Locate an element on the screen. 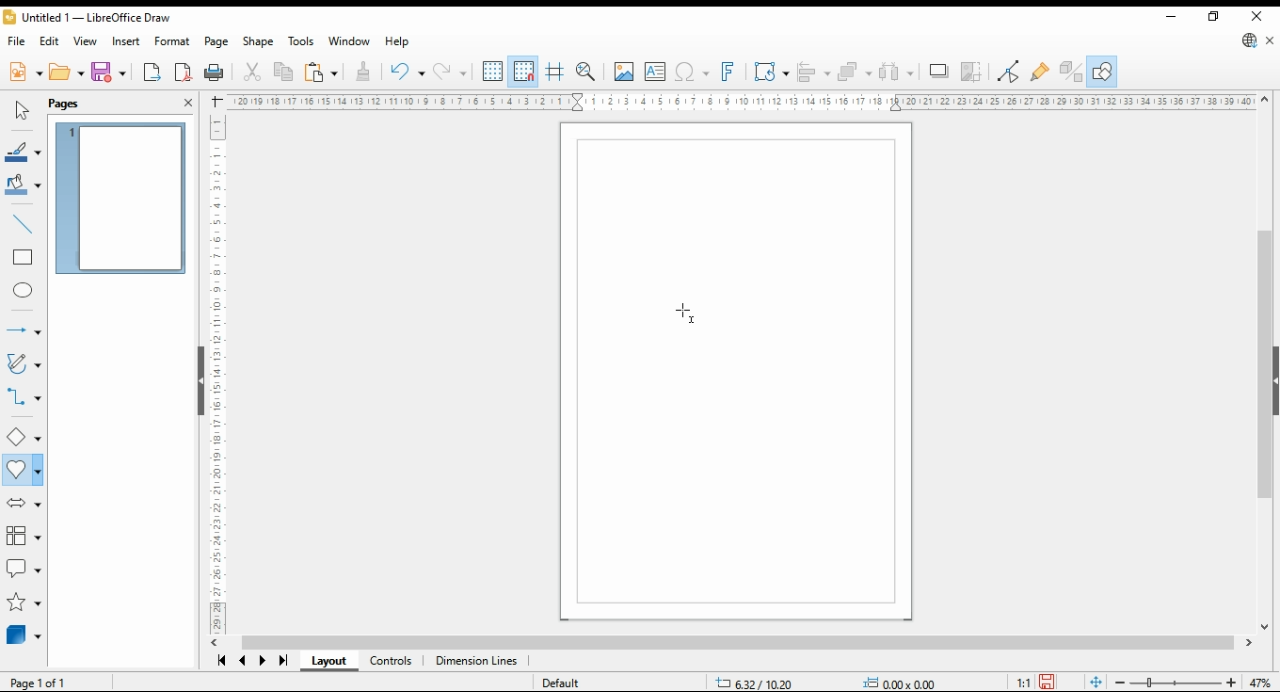  save 1"1 is located at coordinates (1032, 677).